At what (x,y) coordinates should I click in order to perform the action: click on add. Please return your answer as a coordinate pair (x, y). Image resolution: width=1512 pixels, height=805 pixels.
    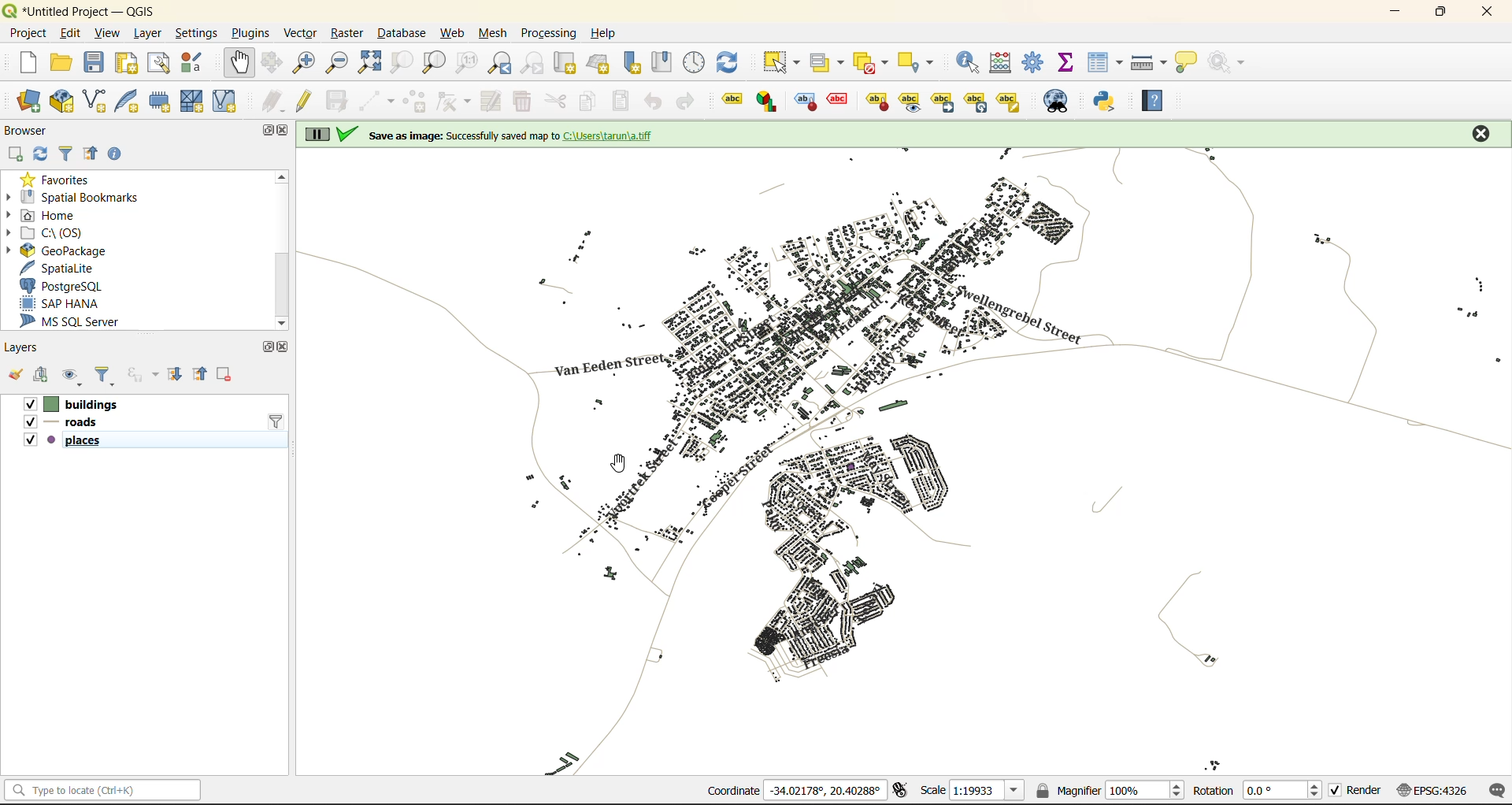
    Looking at the image, I should click on (14, 154).